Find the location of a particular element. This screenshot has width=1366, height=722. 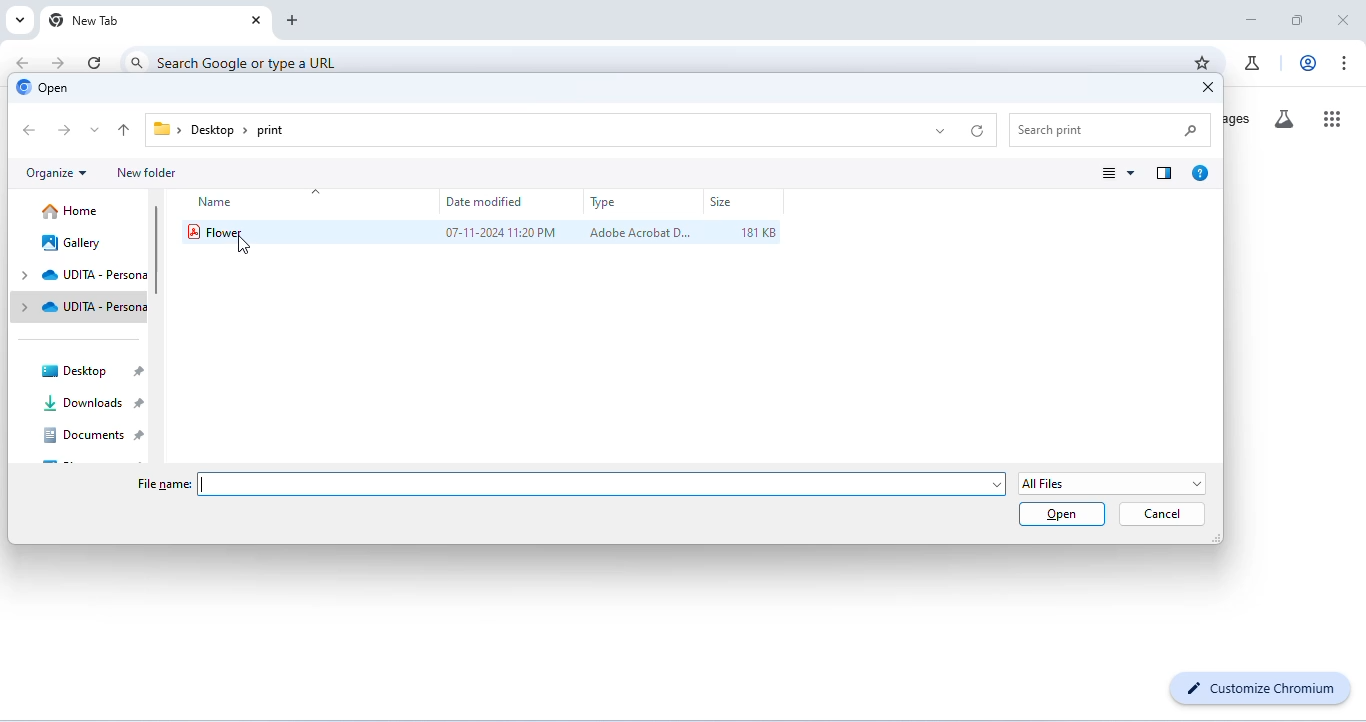

size is located at coordinates (722, 203).